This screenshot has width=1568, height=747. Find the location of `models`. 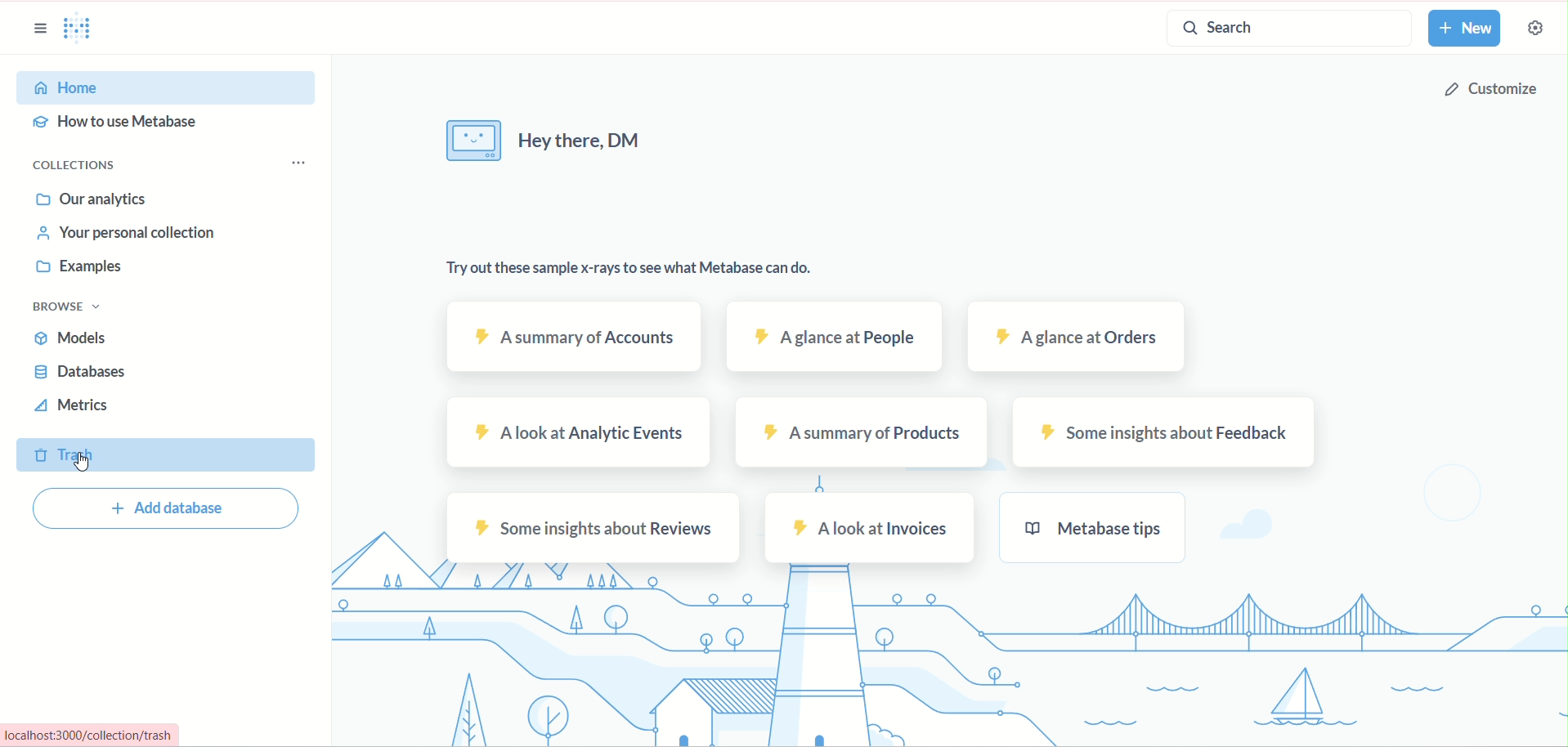

models is located at coordinates (75, 340).